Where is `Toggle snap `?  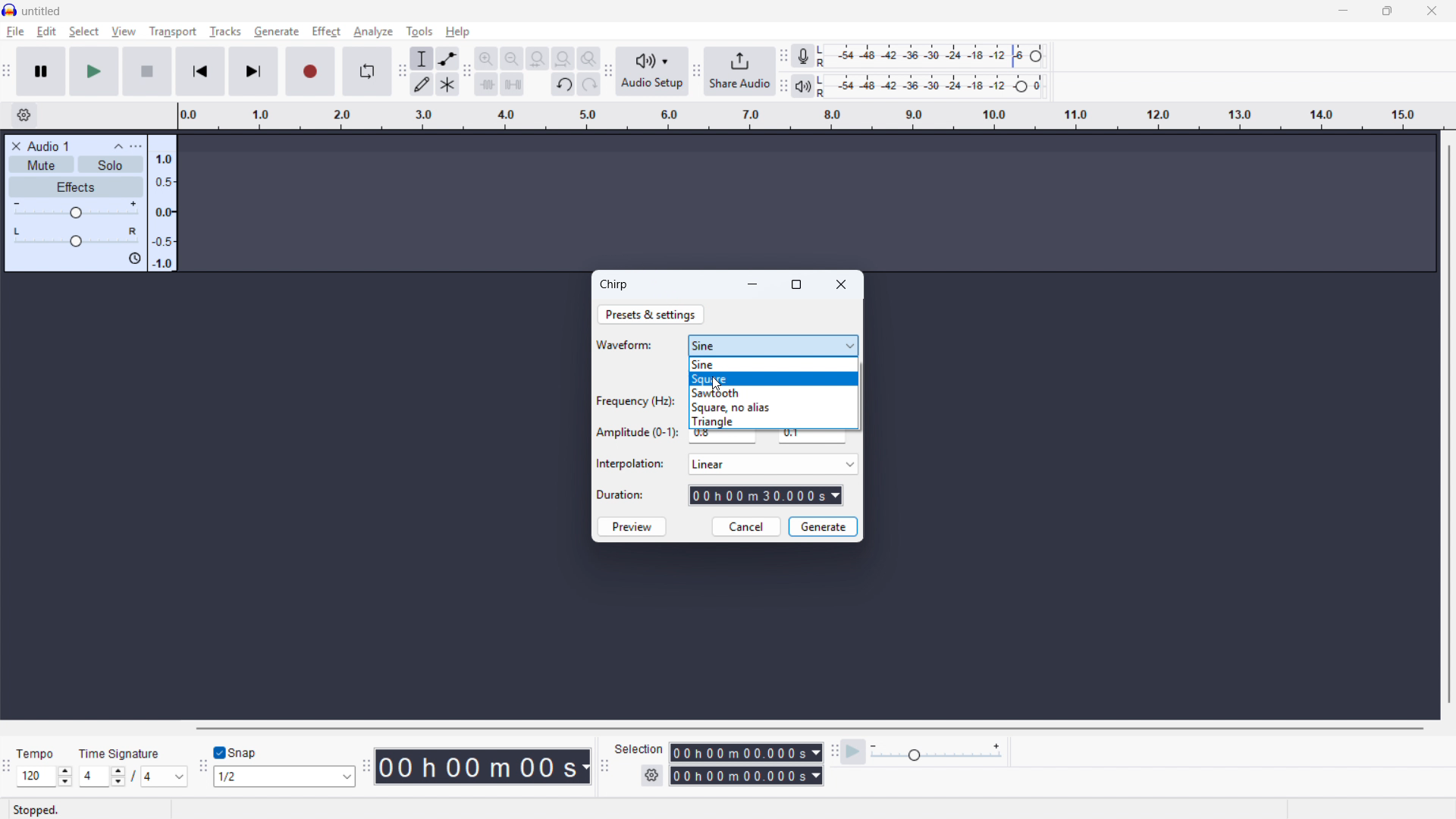
Toggle snap  is located at coordinates (240, 752).